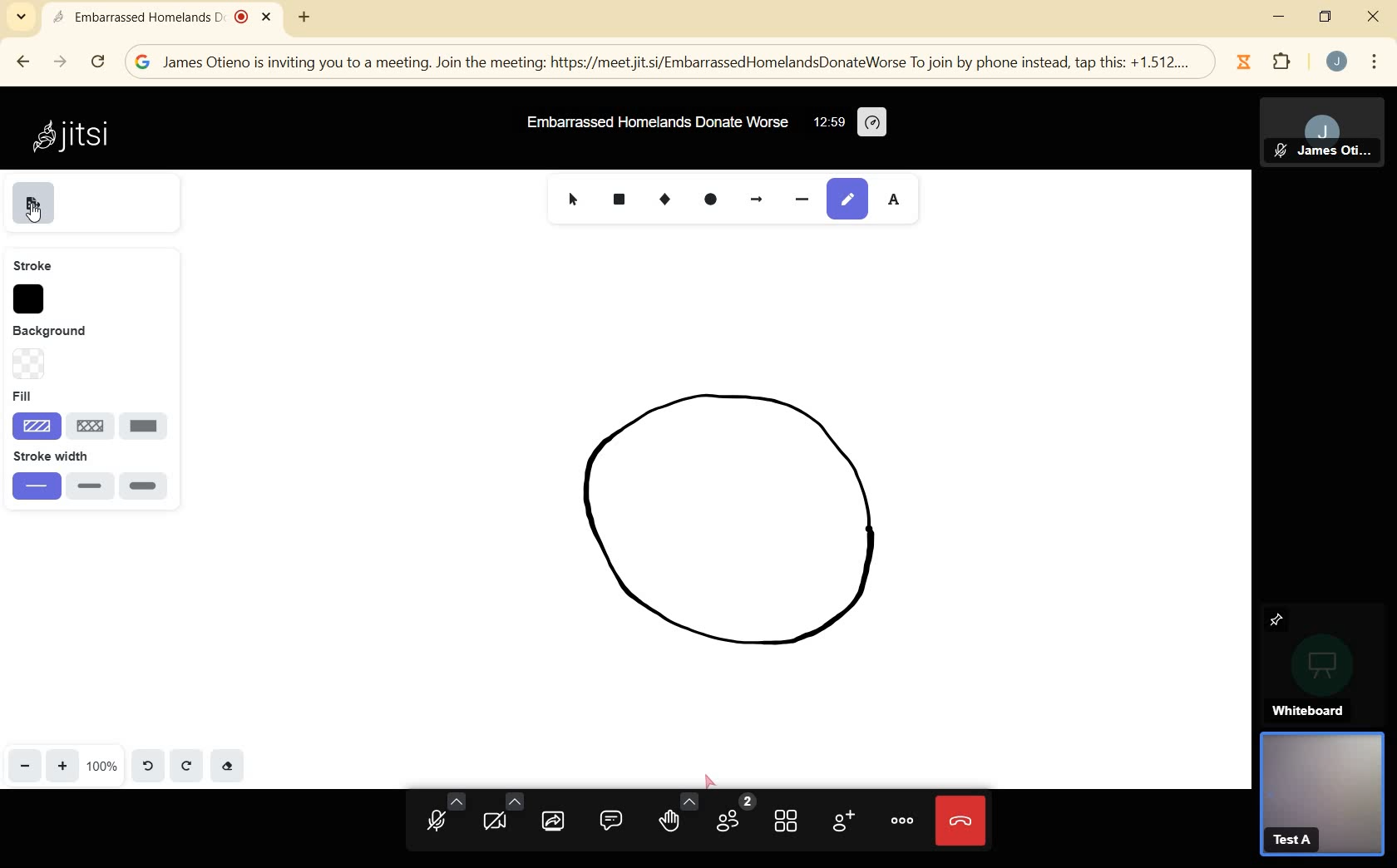 The width and height of the screenshot is (1397, 868). What do you see at coordinates (187, 768) in the screenshot?
I see `redo` at bounding box center [187, 768].